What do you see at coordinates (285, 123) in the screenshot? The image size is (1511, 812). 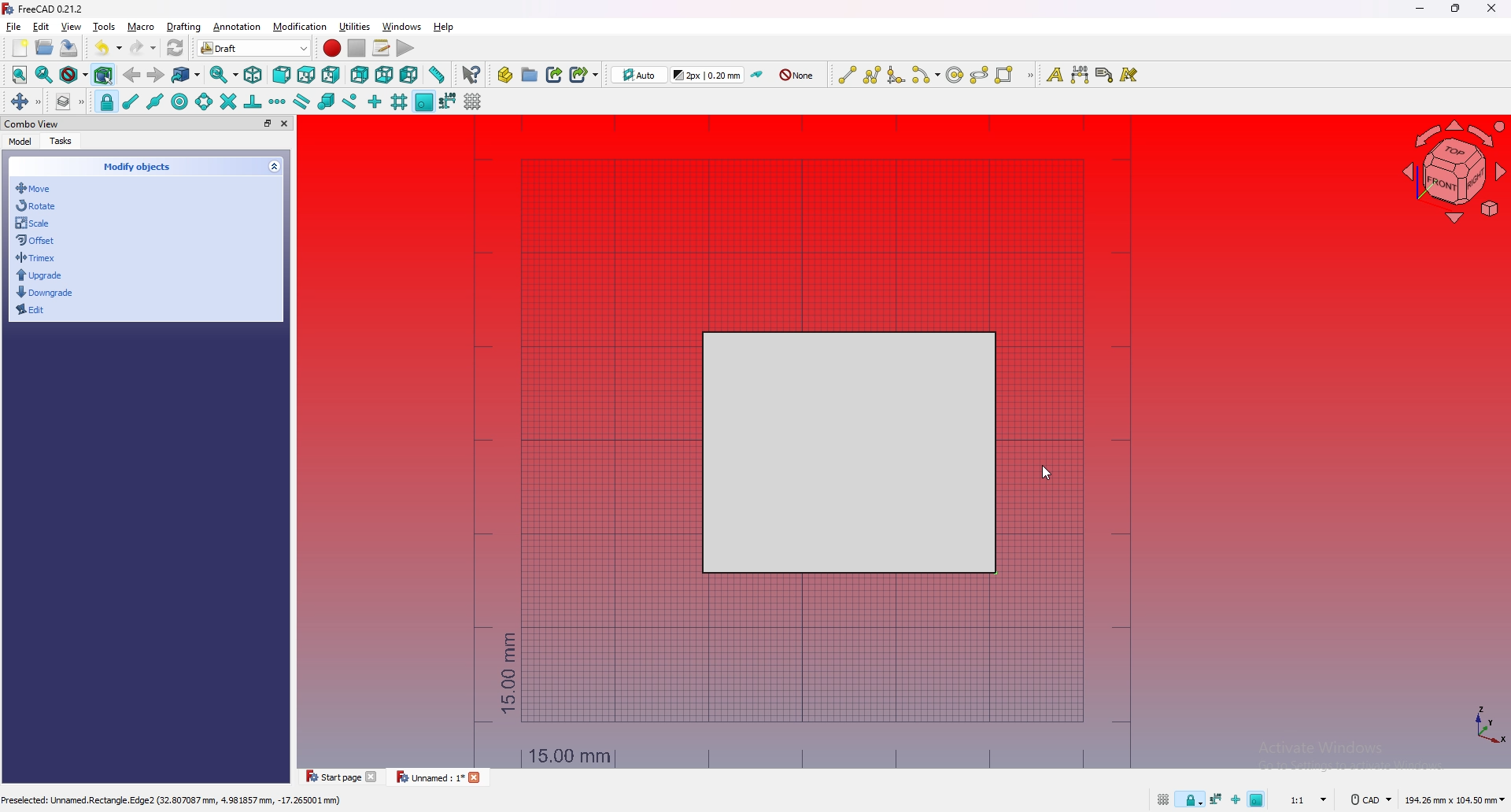 I see `close` at bounding box center [285, 123].